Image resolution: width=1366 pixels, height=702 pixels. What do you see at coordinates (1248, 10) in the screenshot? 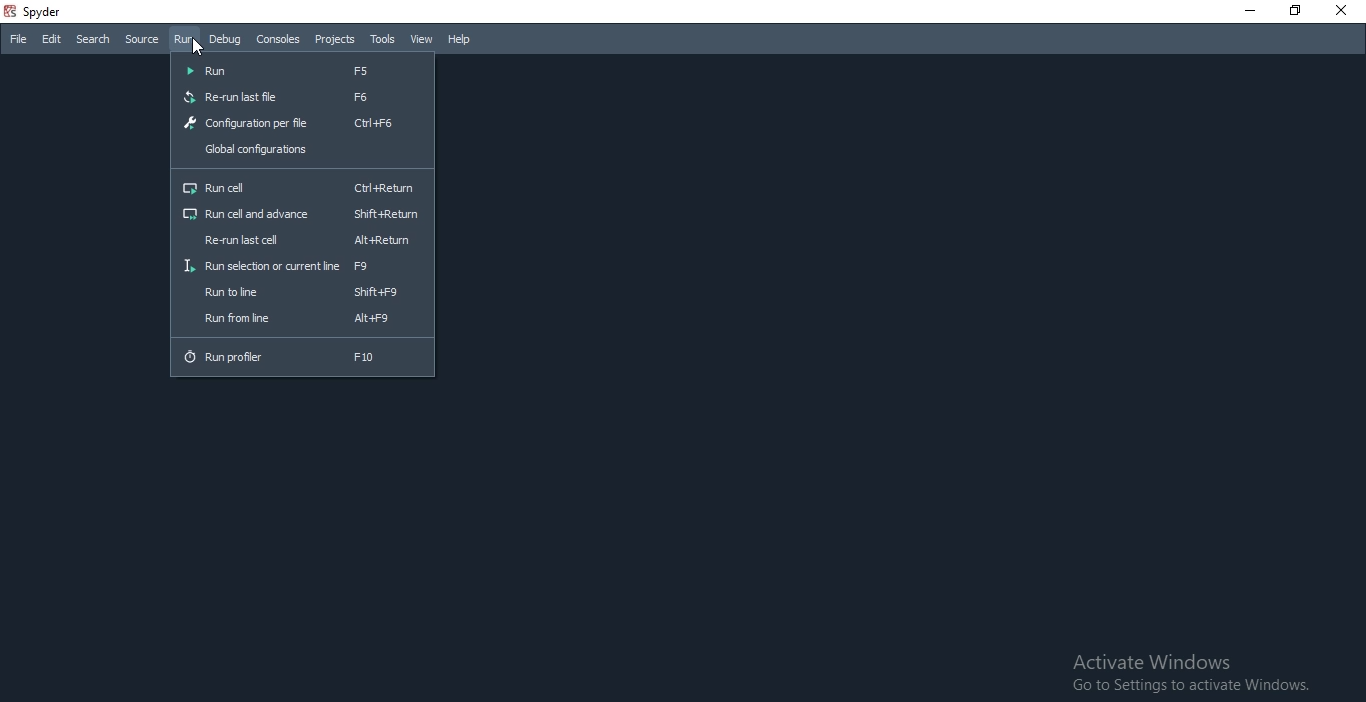
I see `Close` at bounding box center [1248, 10].